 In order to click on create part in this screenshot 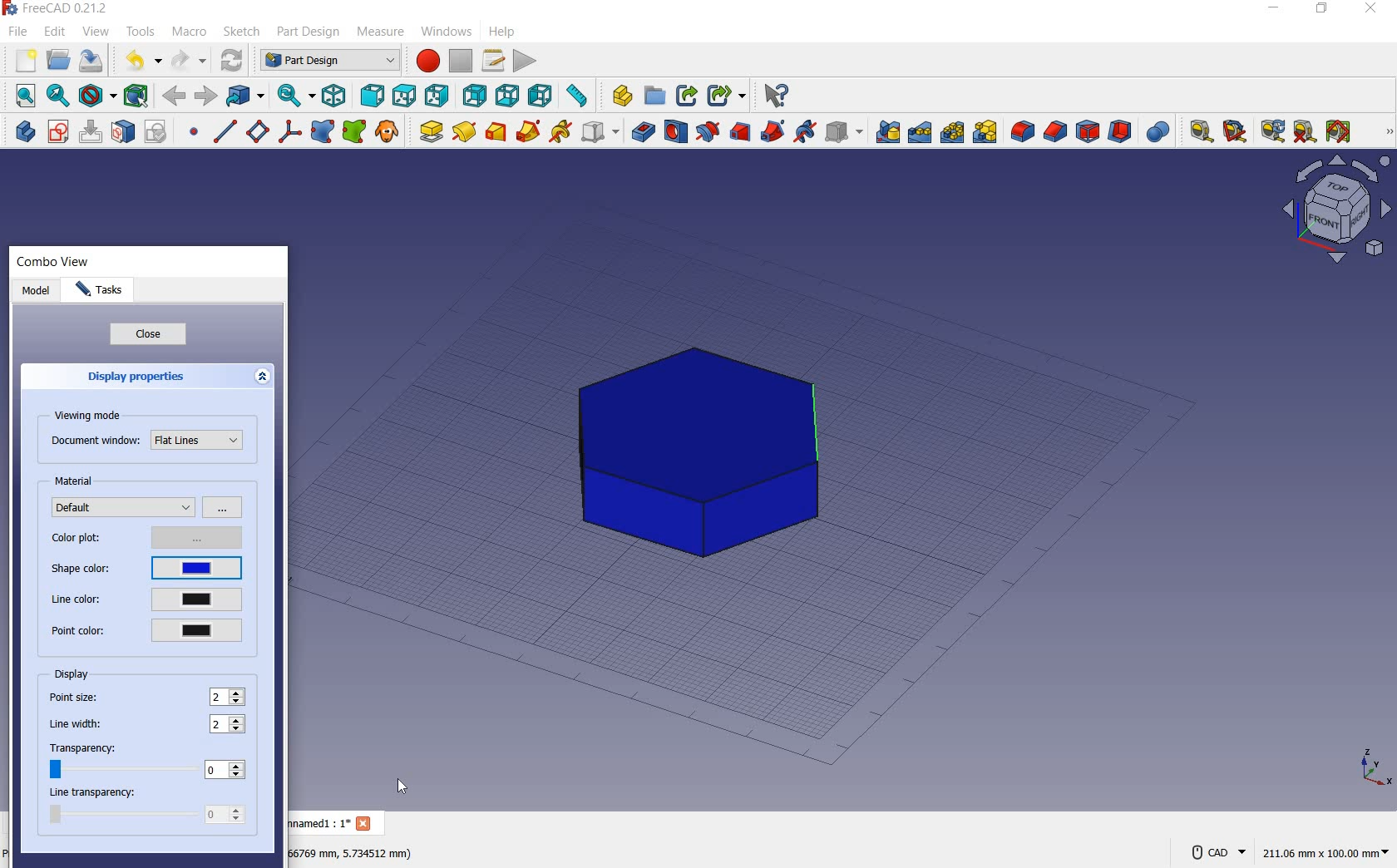, I will do `click(618, 96)`.